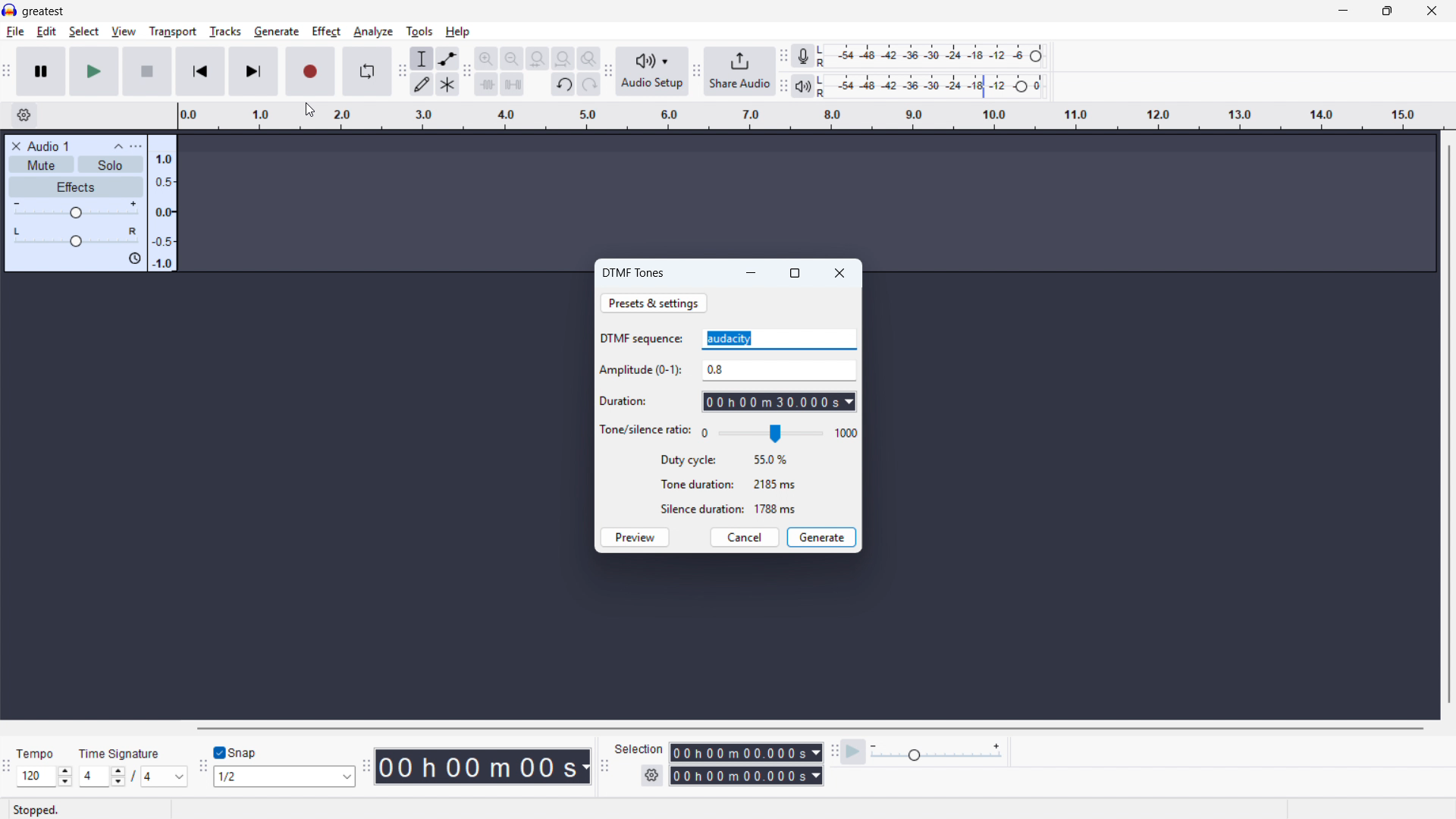 Image resolution: width=1456 pixels, height=819 pixels. What do you see at coordinates (728, 484) in the screenshot?
I see `tone duration: 2185 ms` at bounding box center [728, 484].